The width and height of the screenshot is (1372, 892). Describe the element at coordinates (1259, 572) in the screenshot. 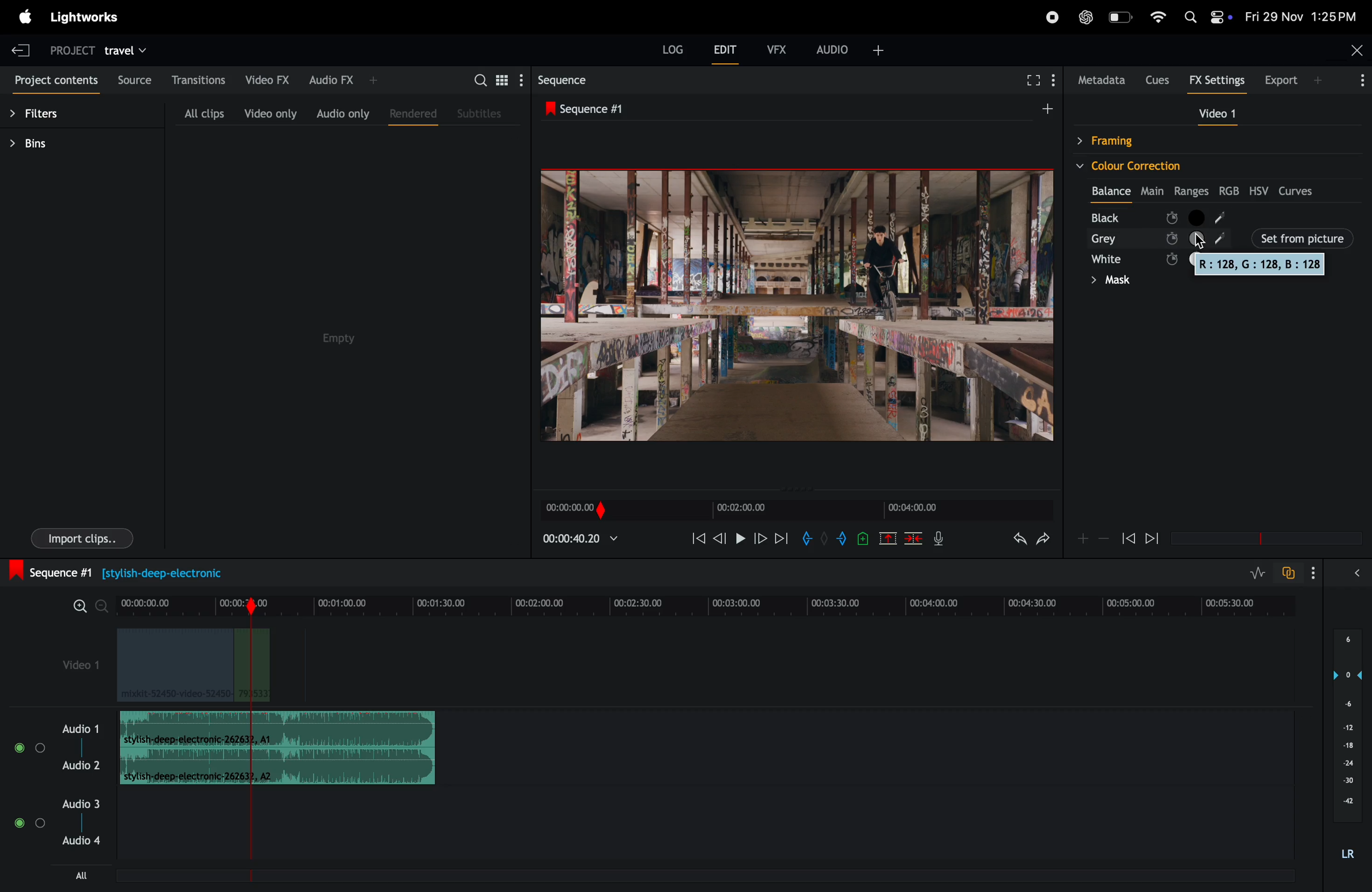

I see `toggle audio level editing` at that location.